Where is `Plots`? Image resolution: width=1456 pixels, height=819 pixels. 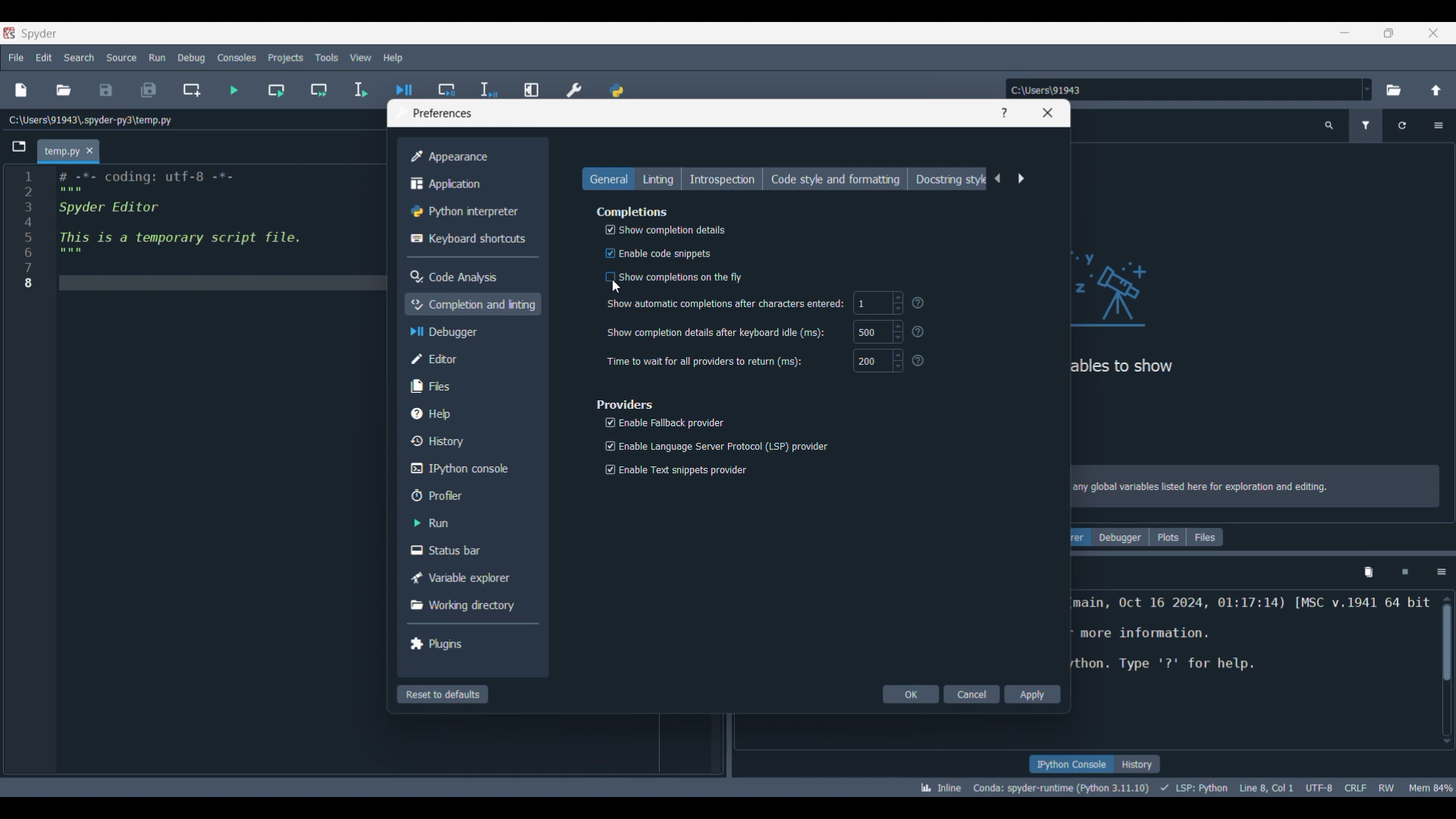 Plots is located at coordinates (1168, 537).